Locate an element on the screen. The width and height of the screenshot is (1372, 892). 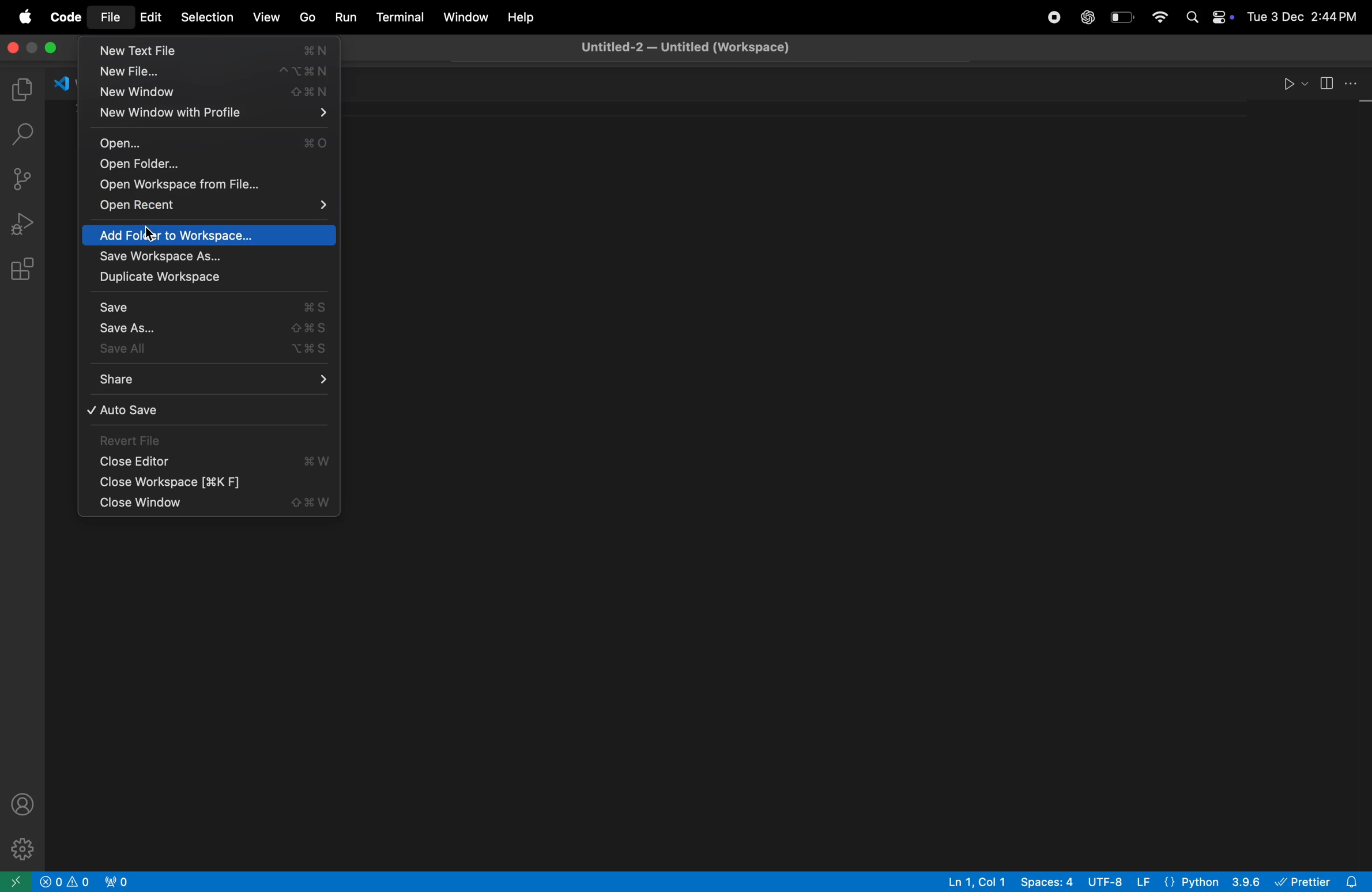
open workspace from the file is located at coordinates (203, 184).